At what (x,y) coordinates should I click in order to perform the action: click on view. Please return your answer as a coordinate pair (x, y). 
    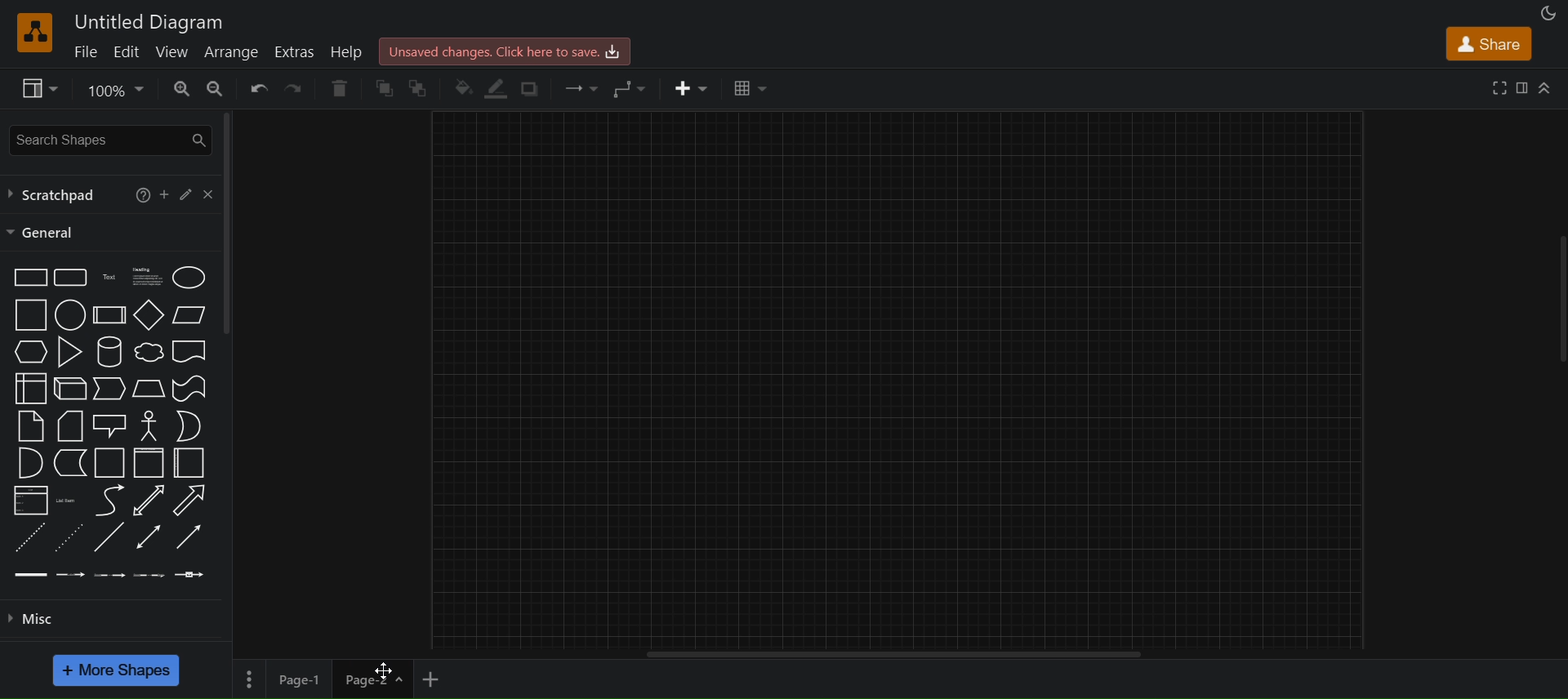
    Looking at the image, I should click on (173, 51).